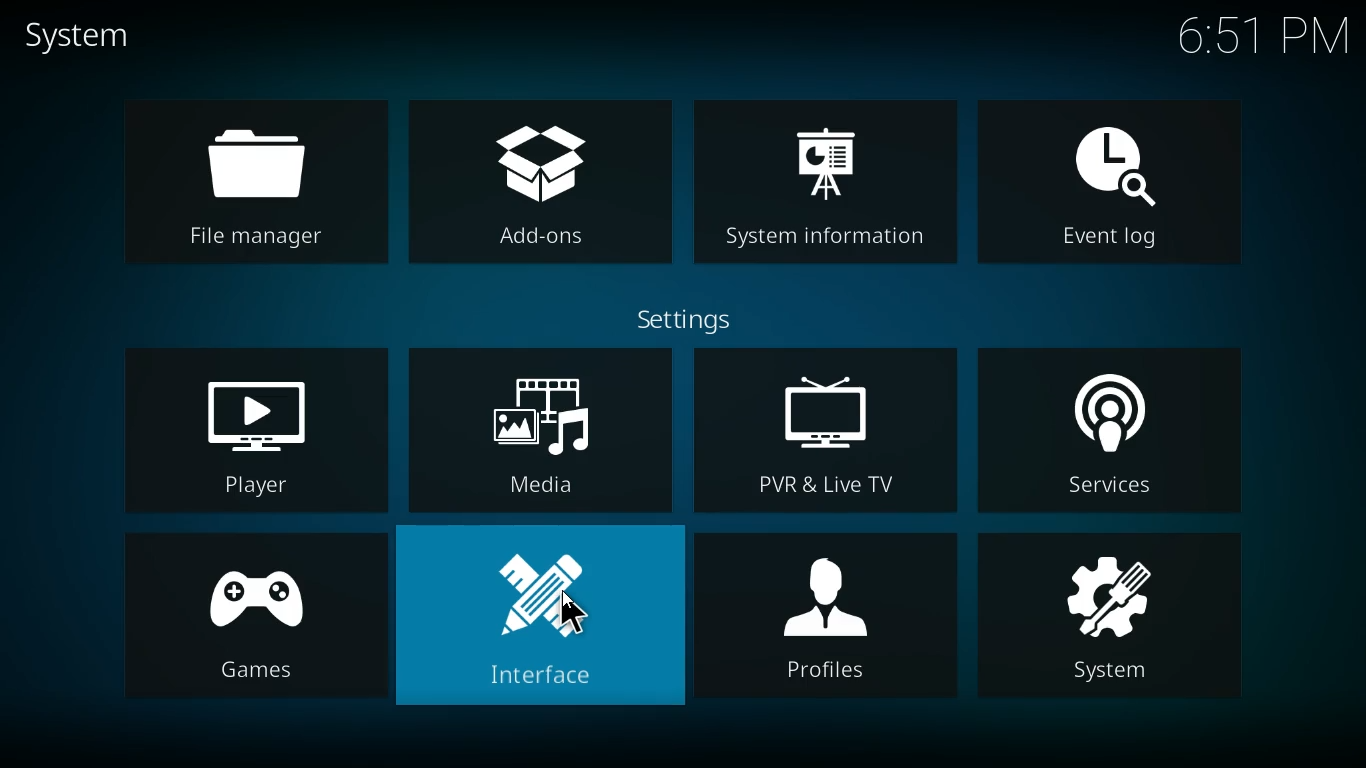  Describe the element at coordinates (540, 623) in the screenshot. I see `interface` at that location.